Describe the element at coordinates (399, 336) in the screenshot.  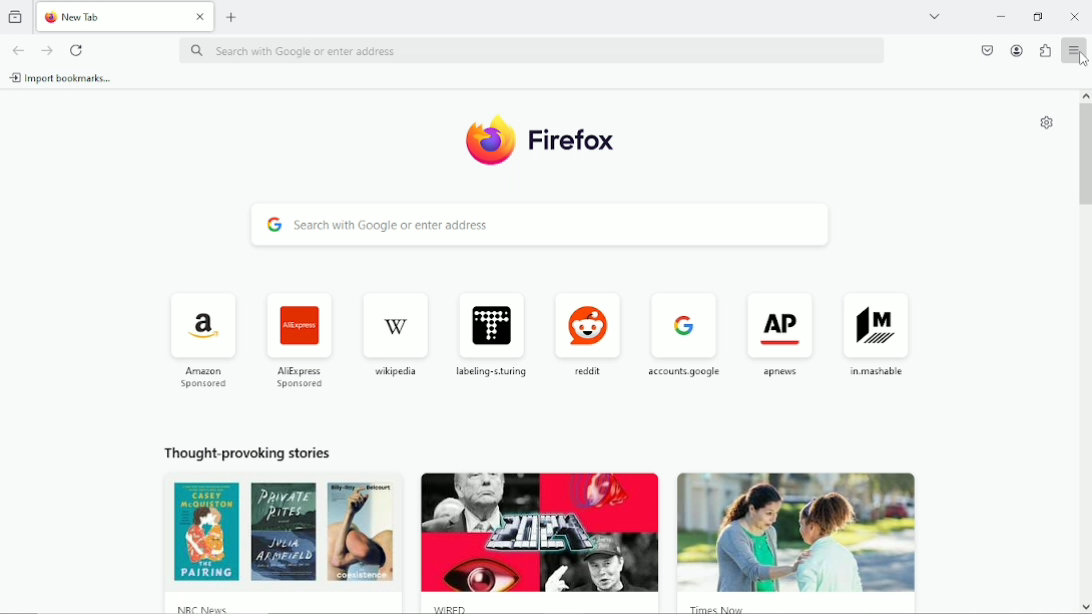
I see `wikipedia` at that location.